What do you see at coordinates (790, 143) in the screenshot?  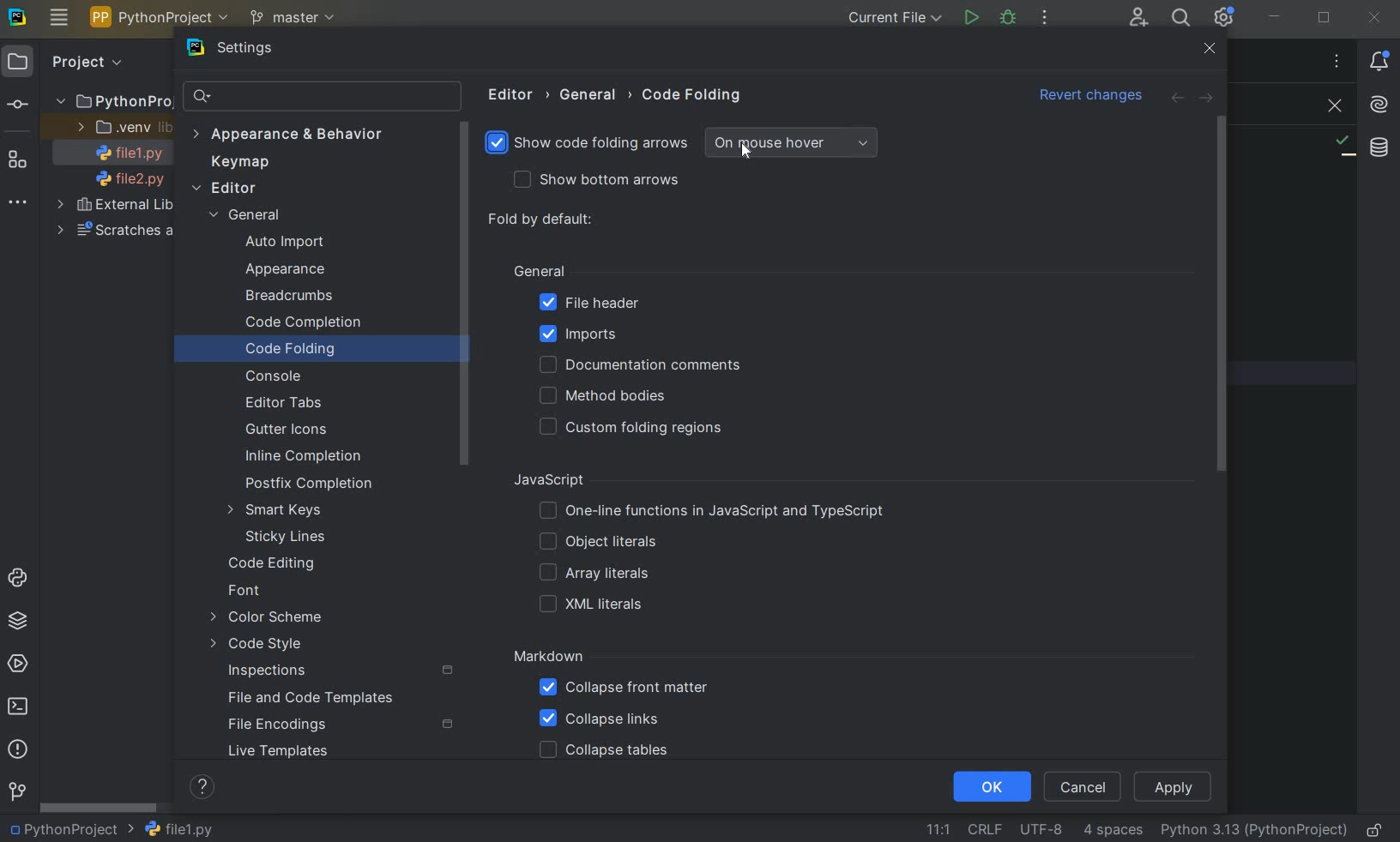 I see `ON MOUSE HOVER` at bounding box center [790, 143].